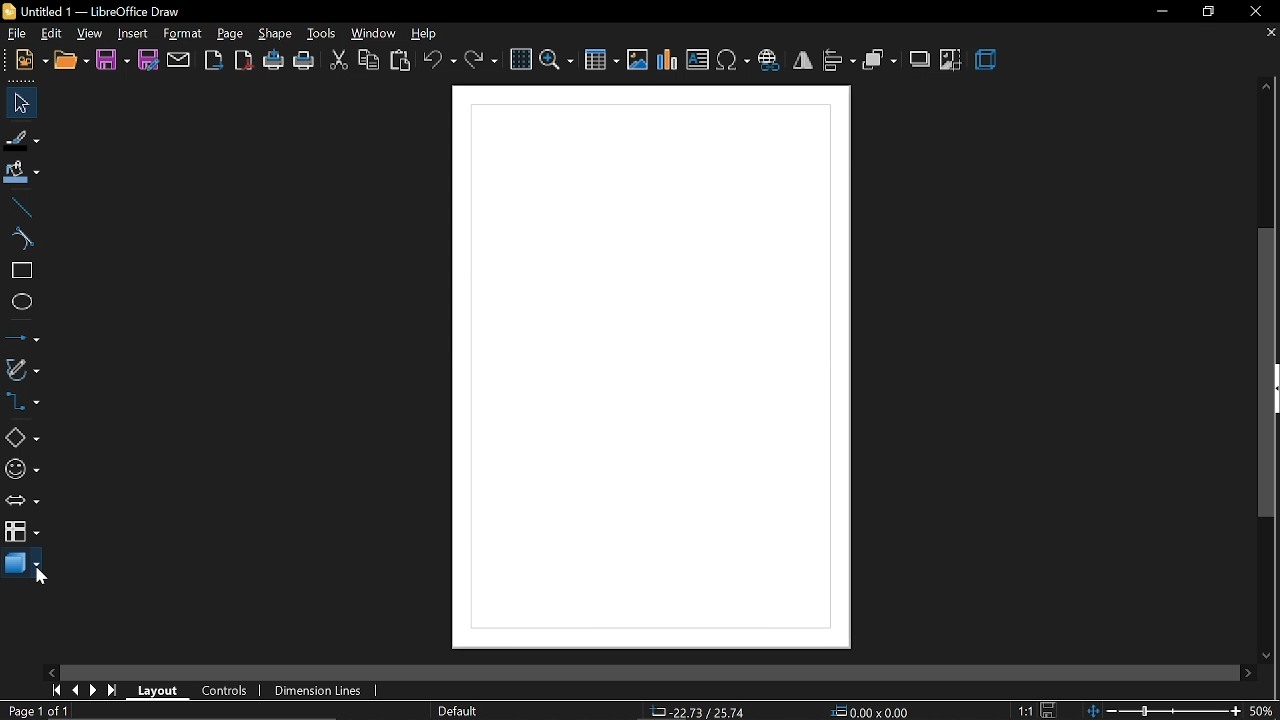 This screenshot has height=720, width=1280. I want to click on connector, so click(23, 404).